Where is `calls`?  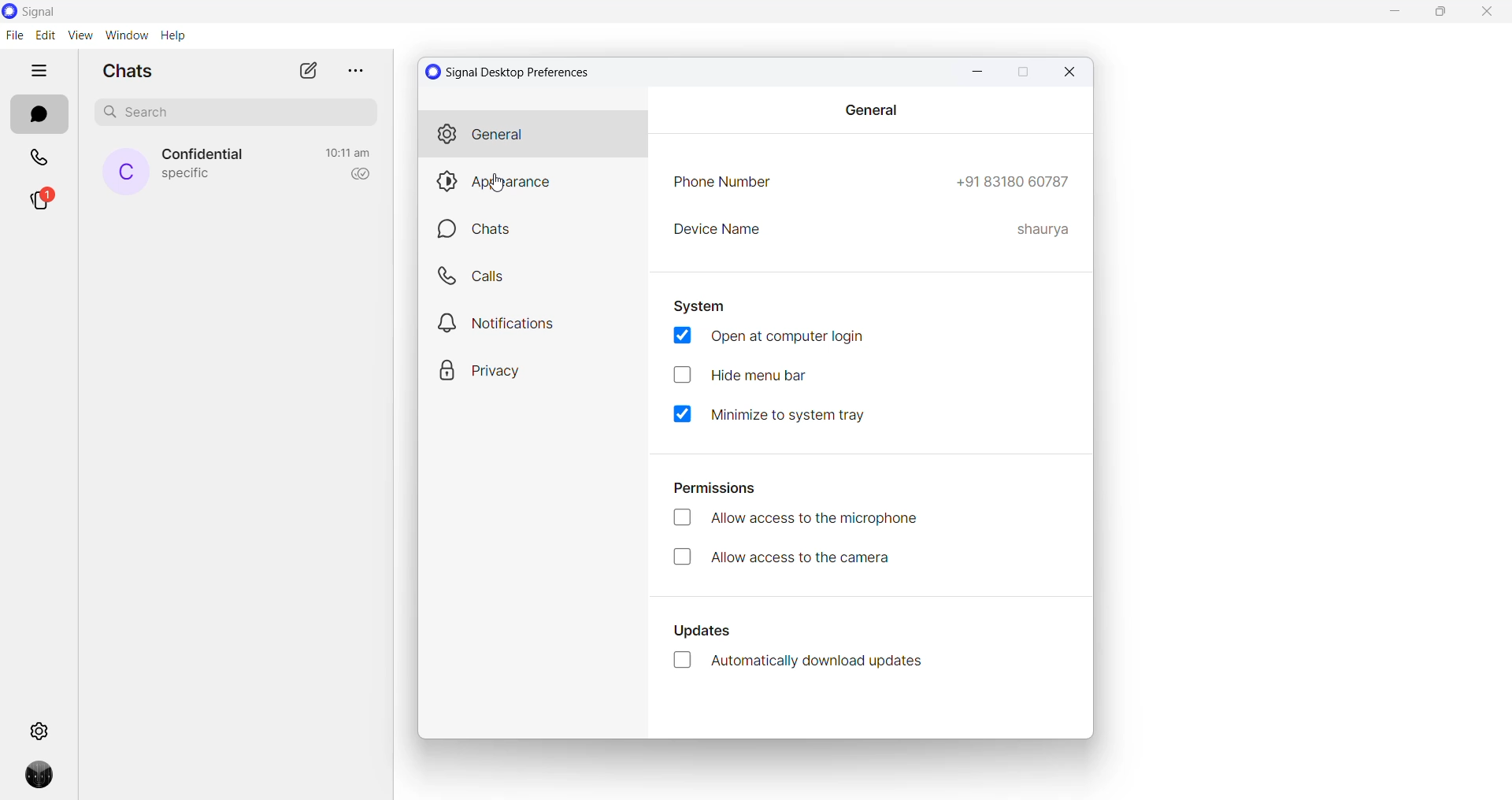
calls is located at coordinates (535, 274).